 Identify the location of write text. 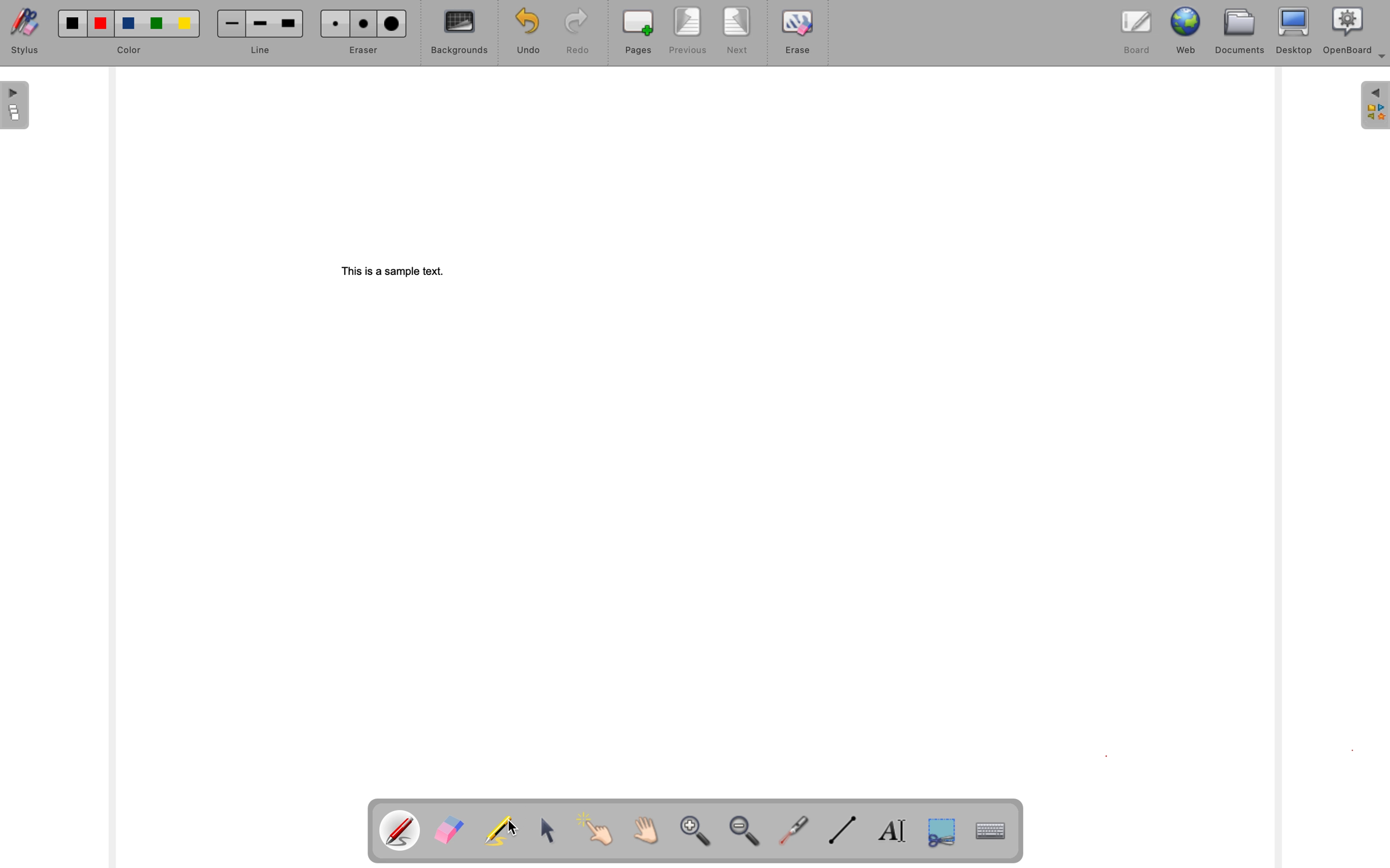
(893, 830).